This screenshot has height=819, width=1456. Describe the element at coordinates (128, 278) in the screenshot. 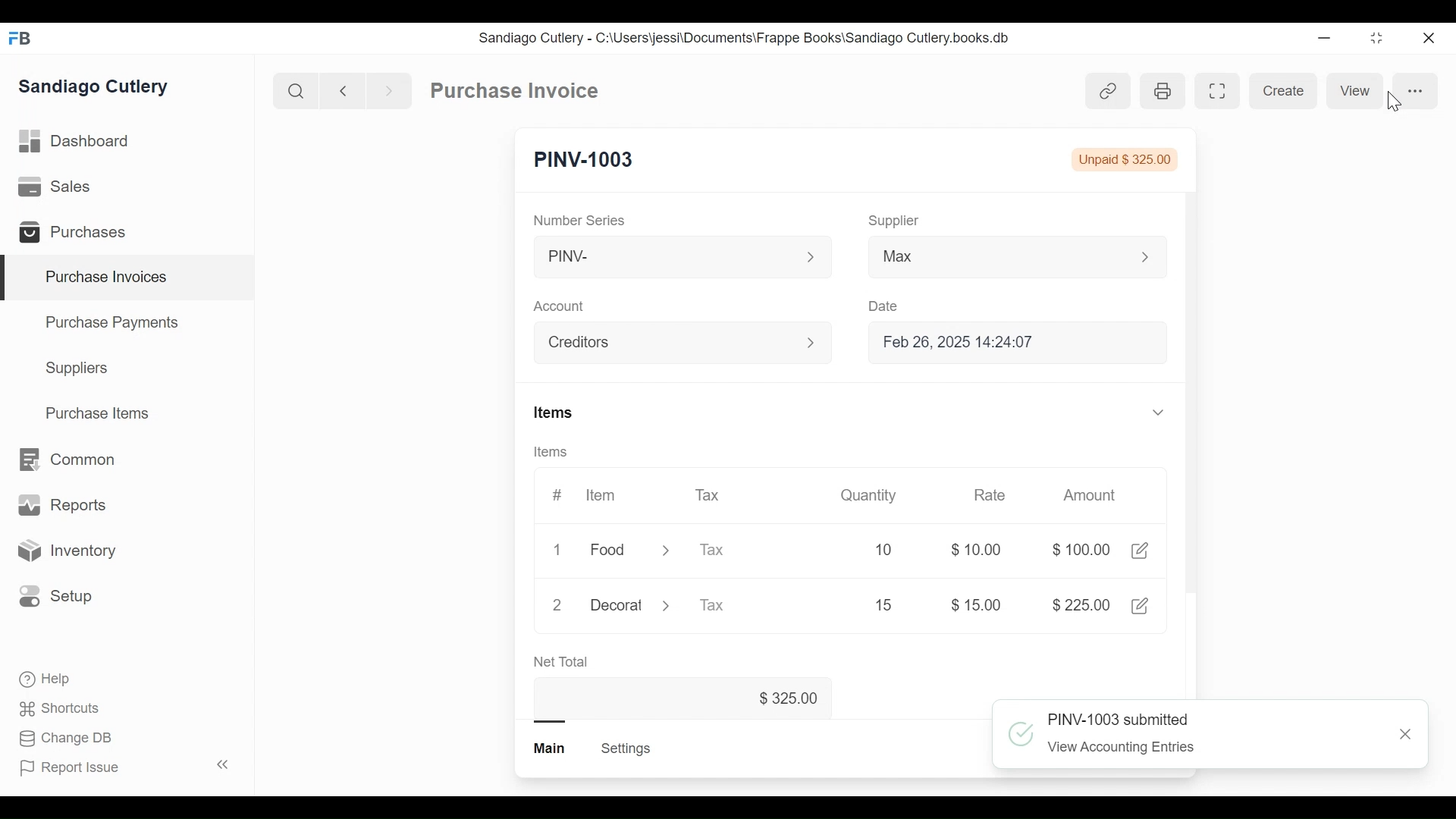

I see `Purchase Invoices` at that location.